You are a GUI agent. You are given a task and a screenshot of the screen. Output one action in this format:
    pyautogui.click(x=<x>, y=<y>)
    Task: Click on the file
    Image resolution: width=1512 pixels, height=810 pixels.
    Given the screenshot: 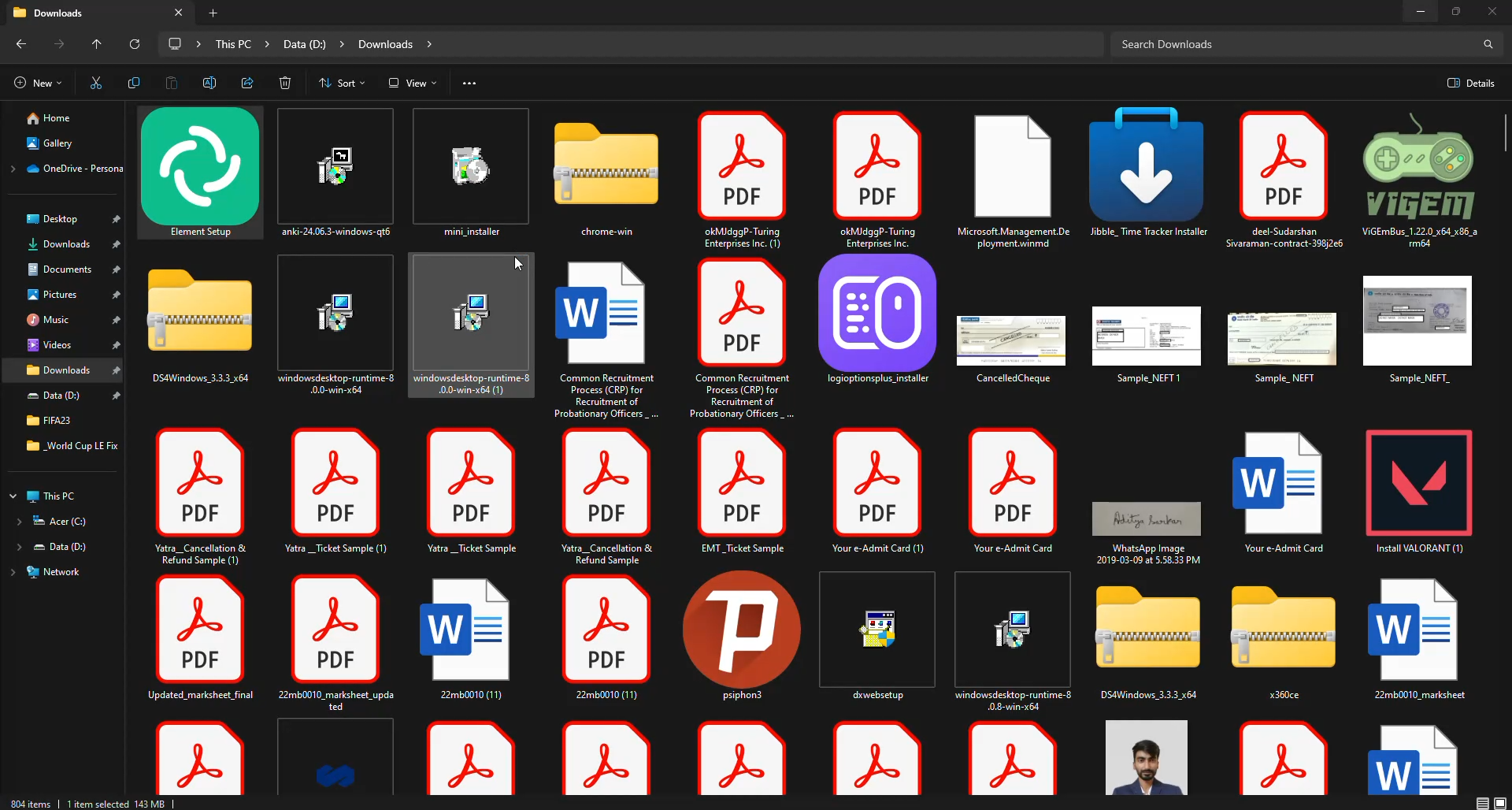 What is the action you would take?
    pyautogui.click(x=206, y=643)
    